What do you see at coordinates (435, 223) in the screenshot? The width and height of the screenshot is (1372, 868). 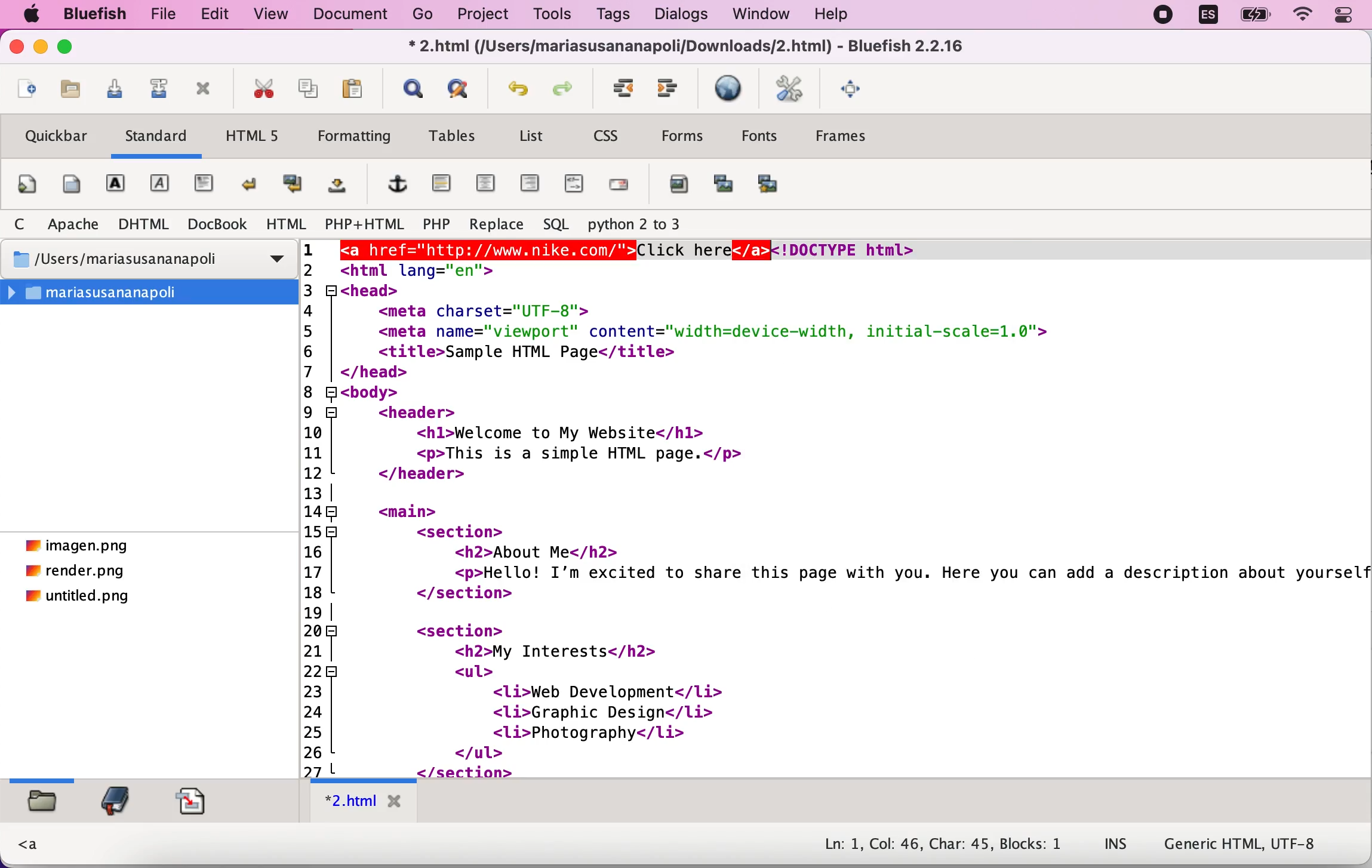 I see `php` at bounding box center [435, 223].